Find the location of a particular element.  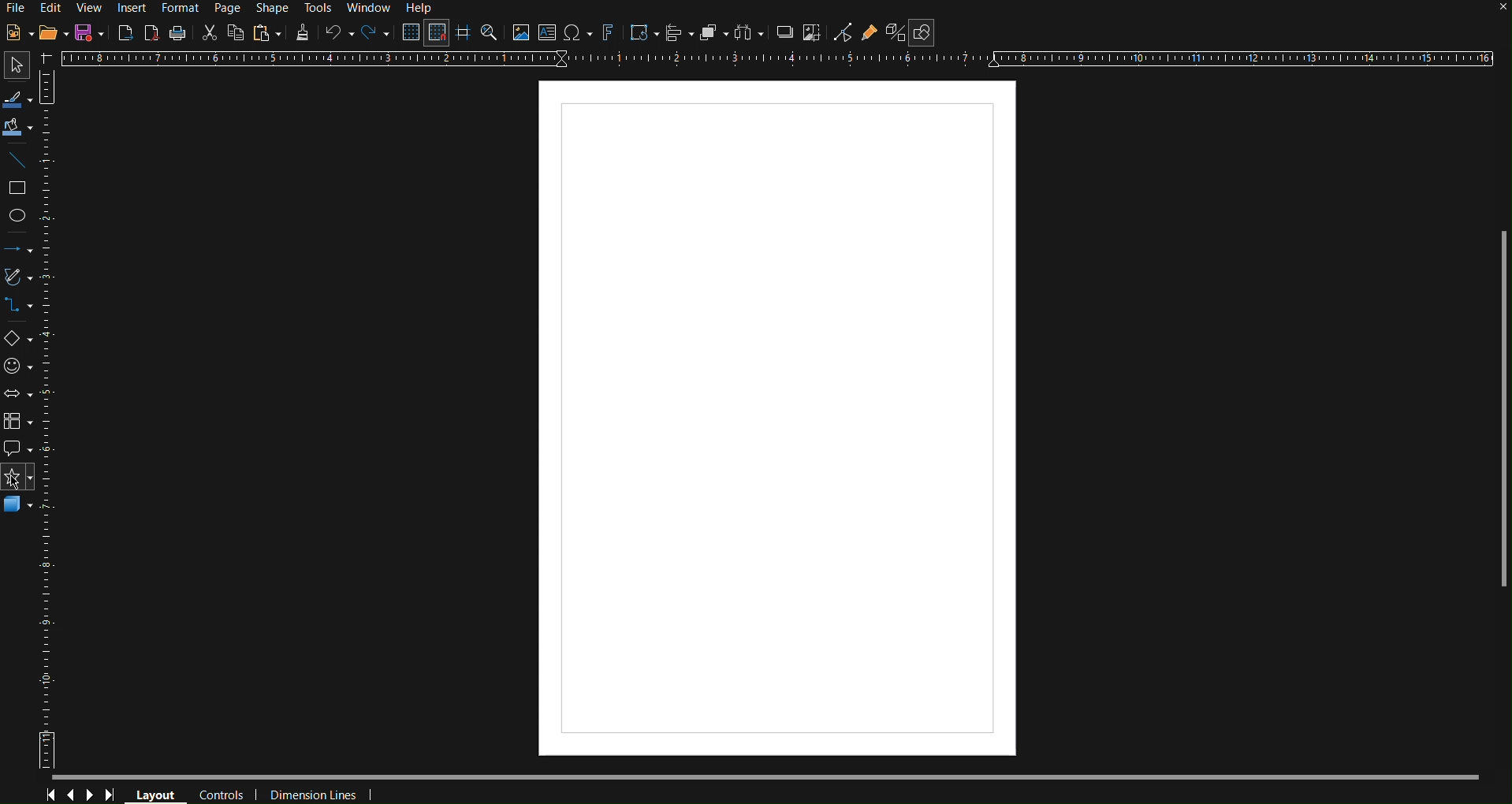

Open is located at coordinates (53, 33).